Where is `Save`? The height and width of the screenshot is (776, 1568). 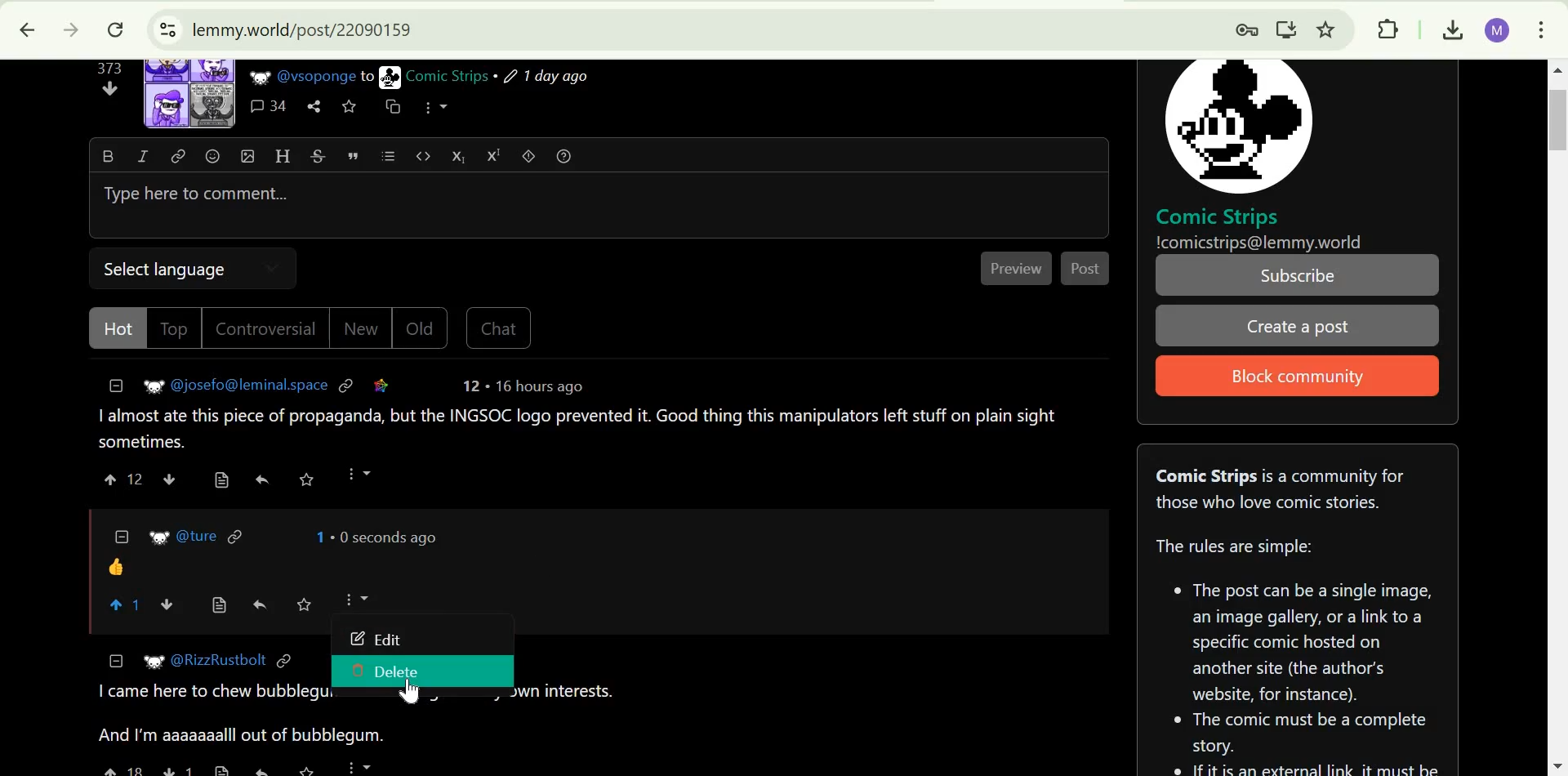 Save is located at coordinates (305, 604).